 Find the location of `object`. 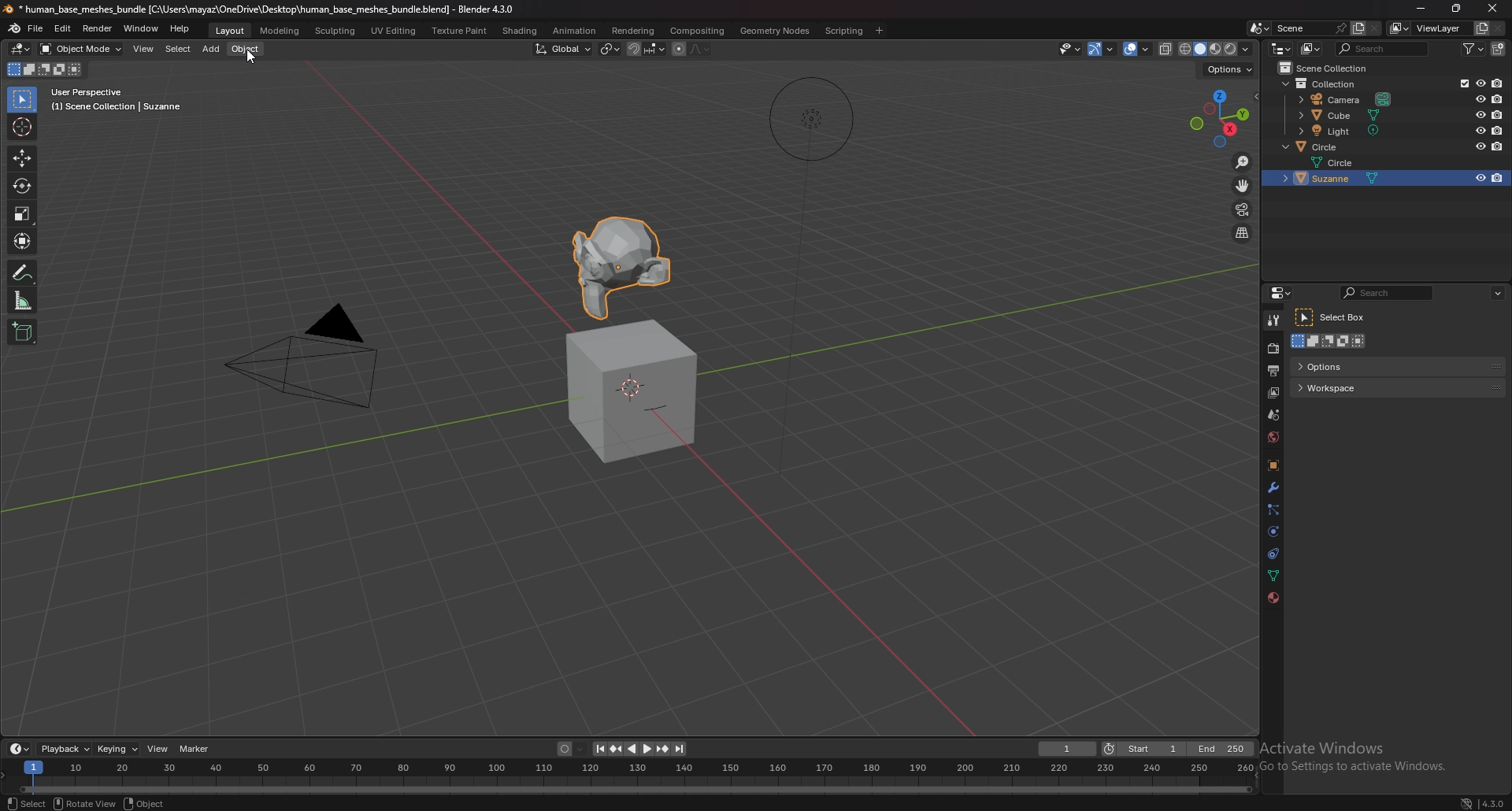

object is located at coordinates (247, 48).